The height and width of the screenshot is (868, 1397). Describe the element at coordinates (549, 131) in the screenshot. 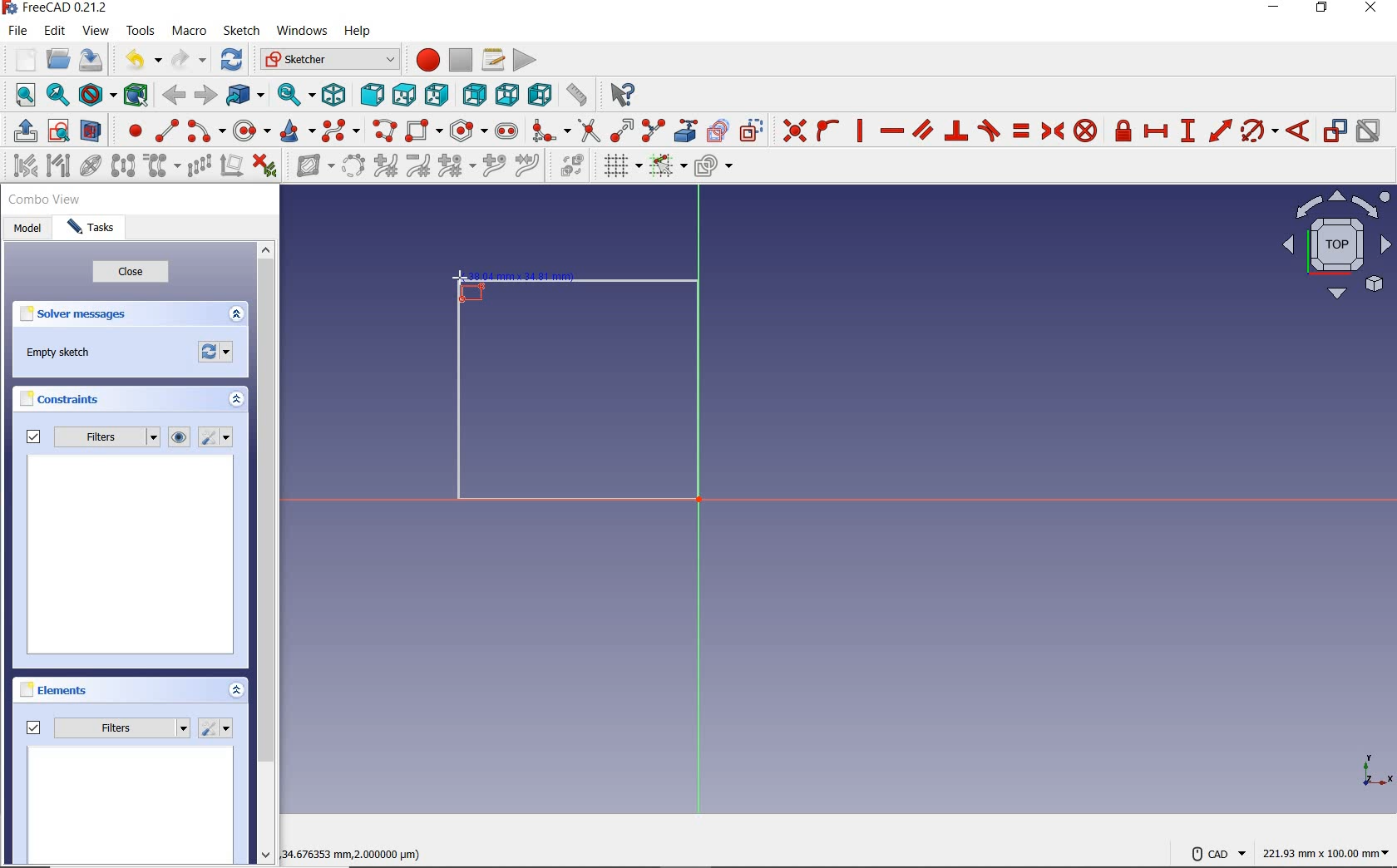

I see `create fillet` at that location.